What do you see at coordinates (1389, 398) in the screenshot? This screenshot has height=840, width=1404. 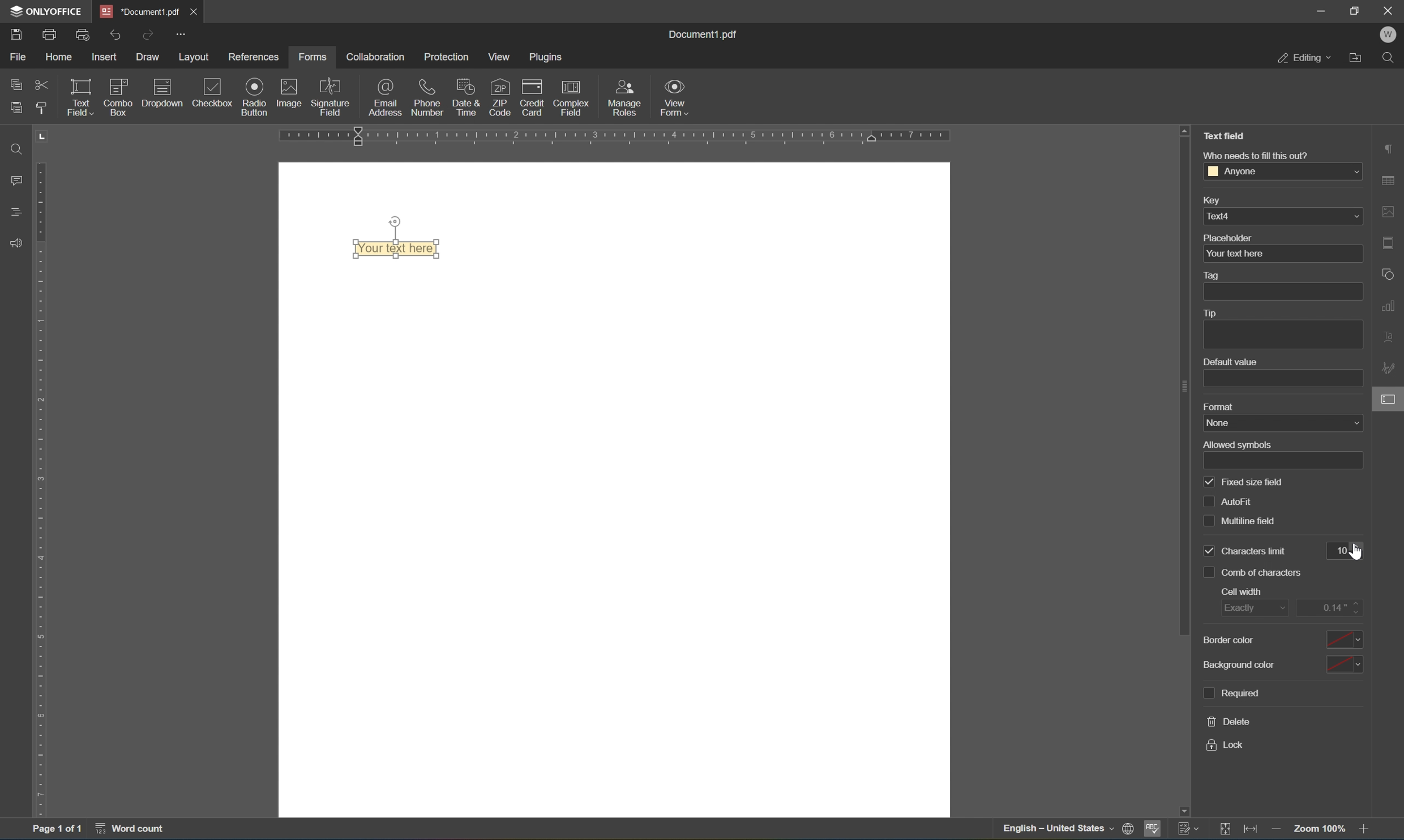 I see `form settings` at bounding box center [1389, 398].